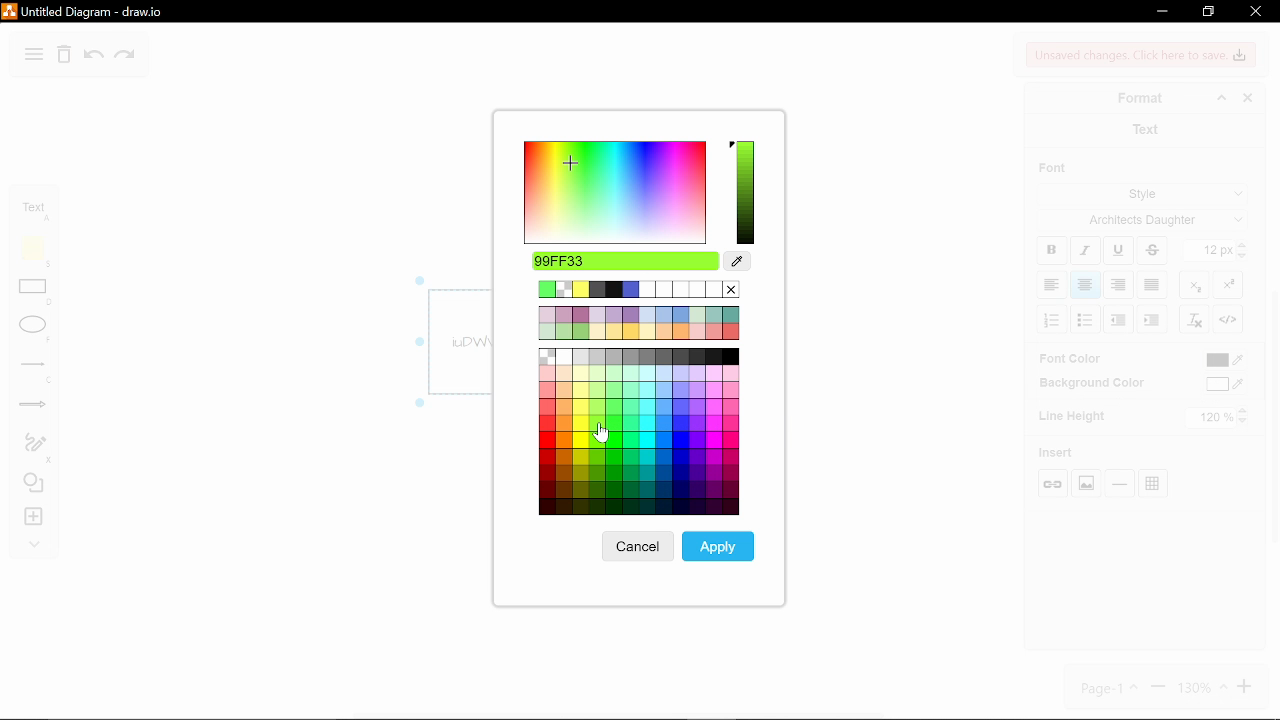 This screenshot has width=1280, height=720. What do you see at coordinates (1272, 417) in the screenshot?
I see `vertical scrollbar` at bounding box center [1272, 417].